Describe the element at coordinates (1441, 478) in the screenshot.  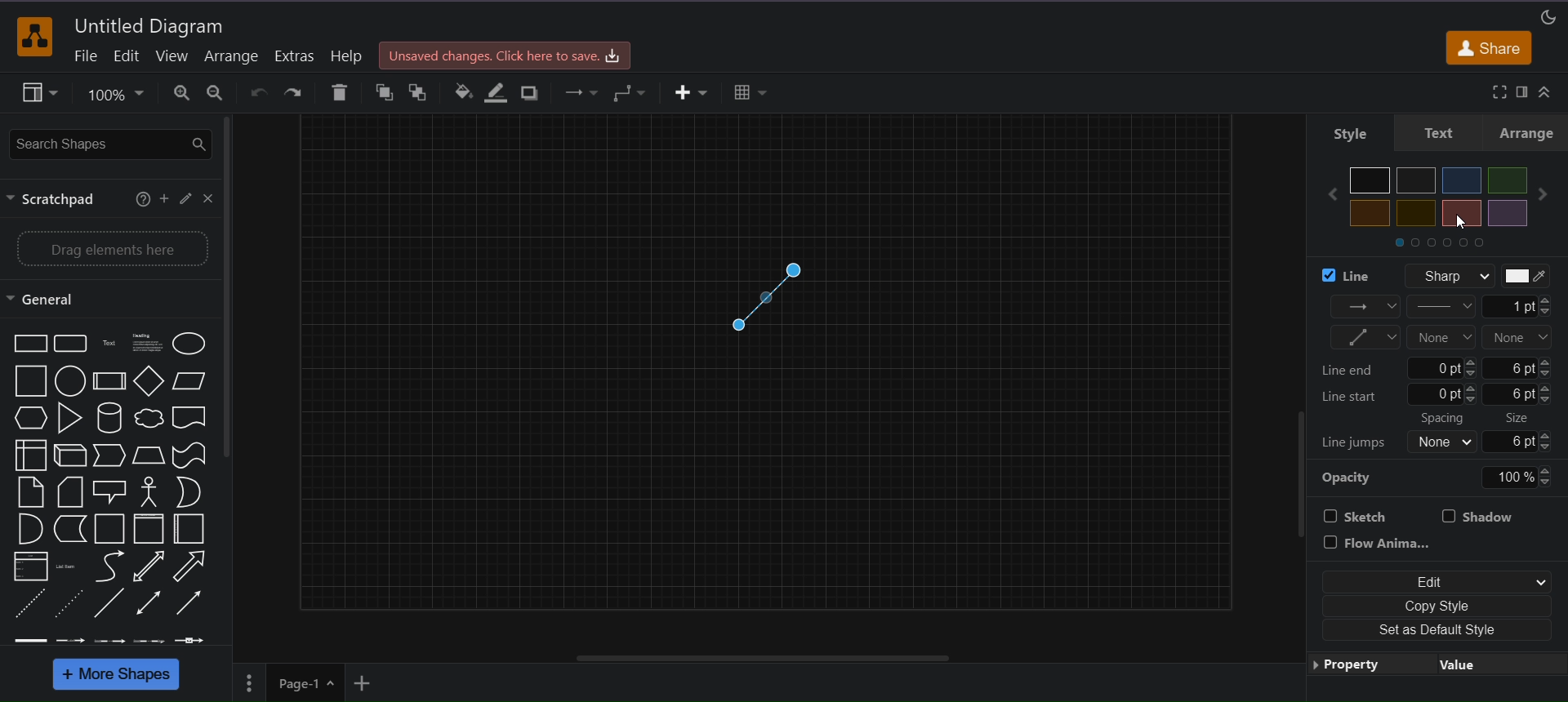
I see `` at that location.